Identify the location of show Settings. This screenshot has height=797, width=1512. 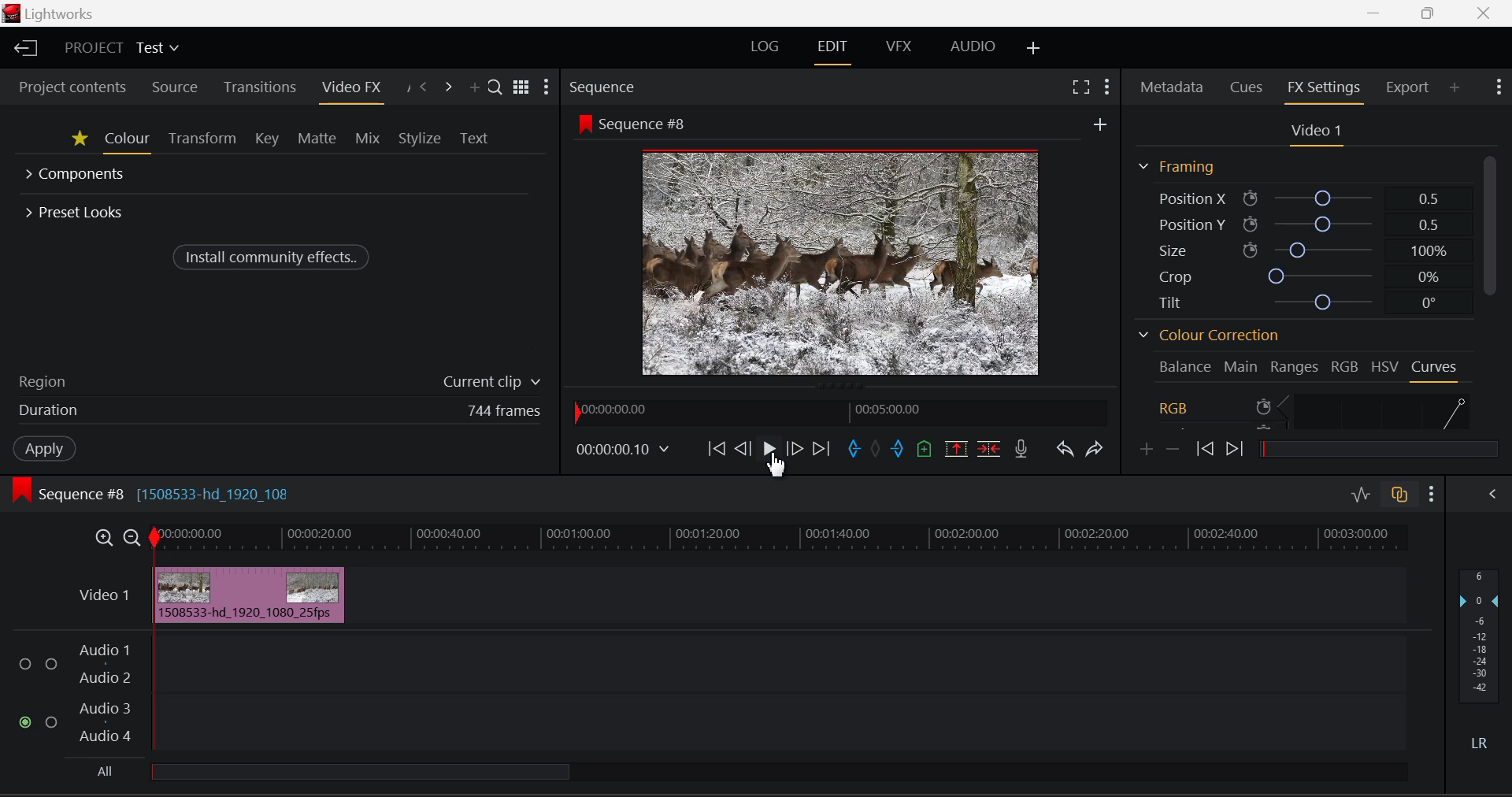
(1432, 495).